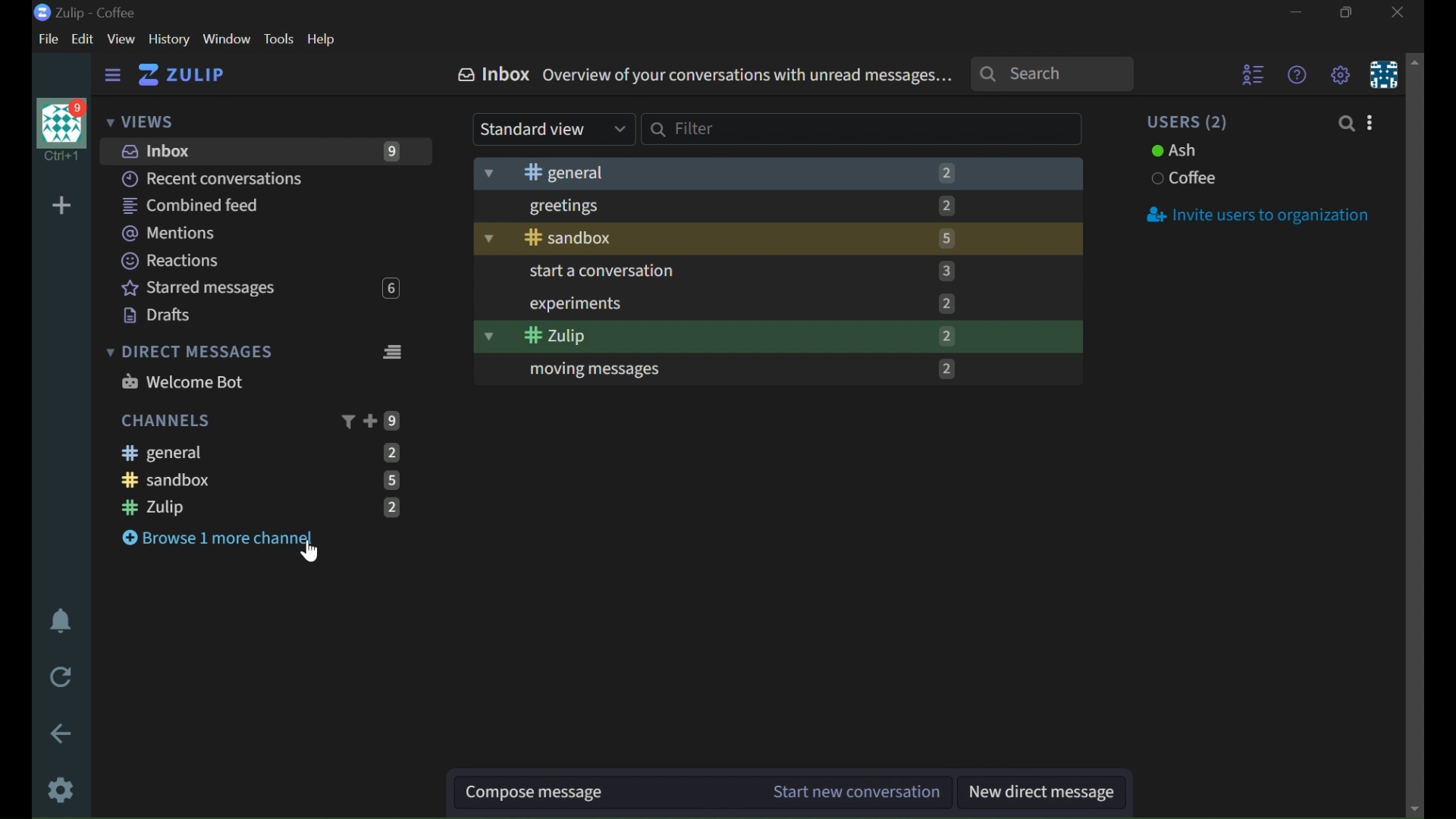  Describe the element at coordinates (1041, 794) in the screenshot. I see `NEW DIRECT MESSAGE` at that location.